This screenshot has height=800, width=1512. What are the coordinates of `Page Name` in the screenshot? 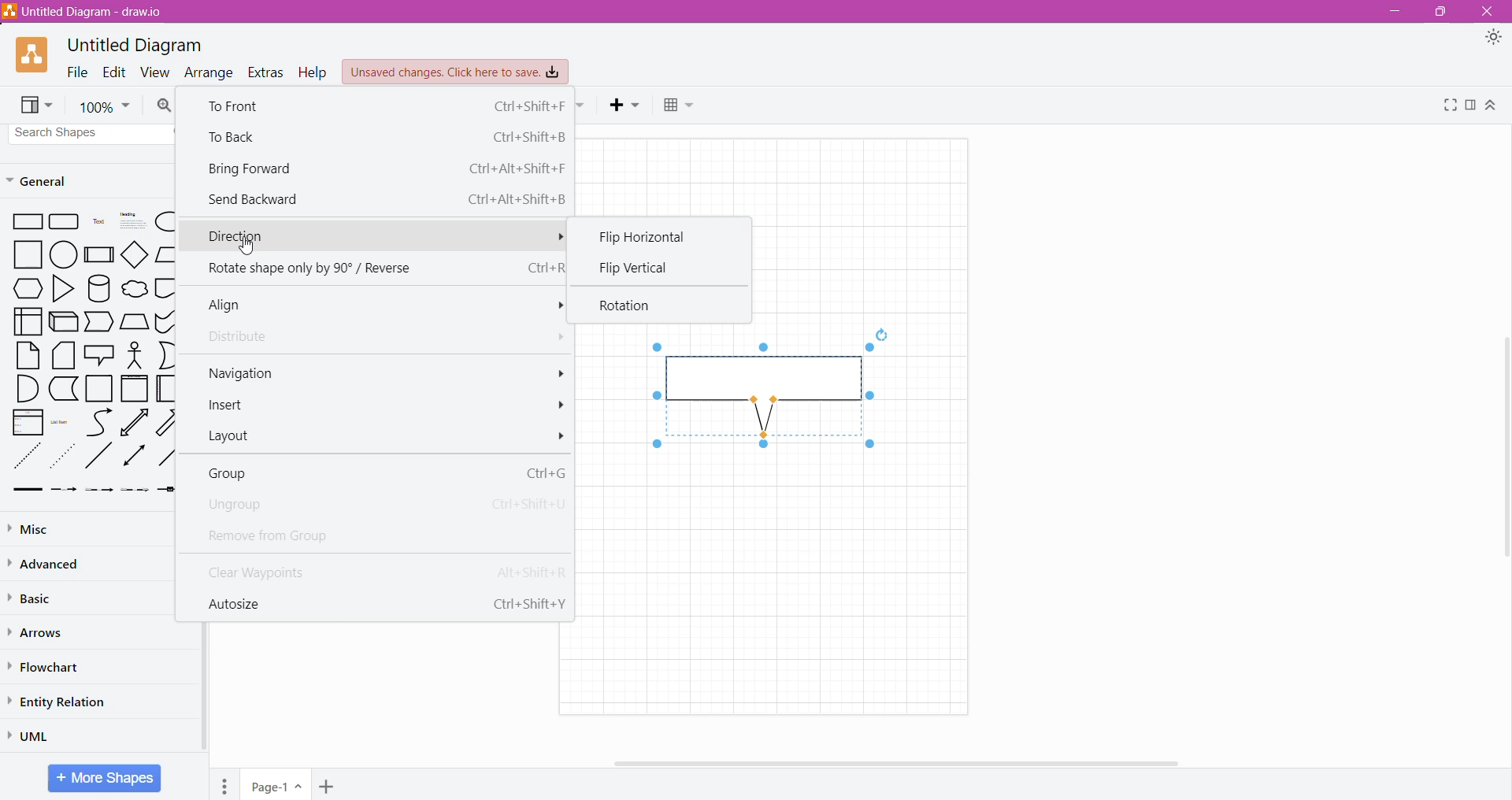 It's located at (277, 784).